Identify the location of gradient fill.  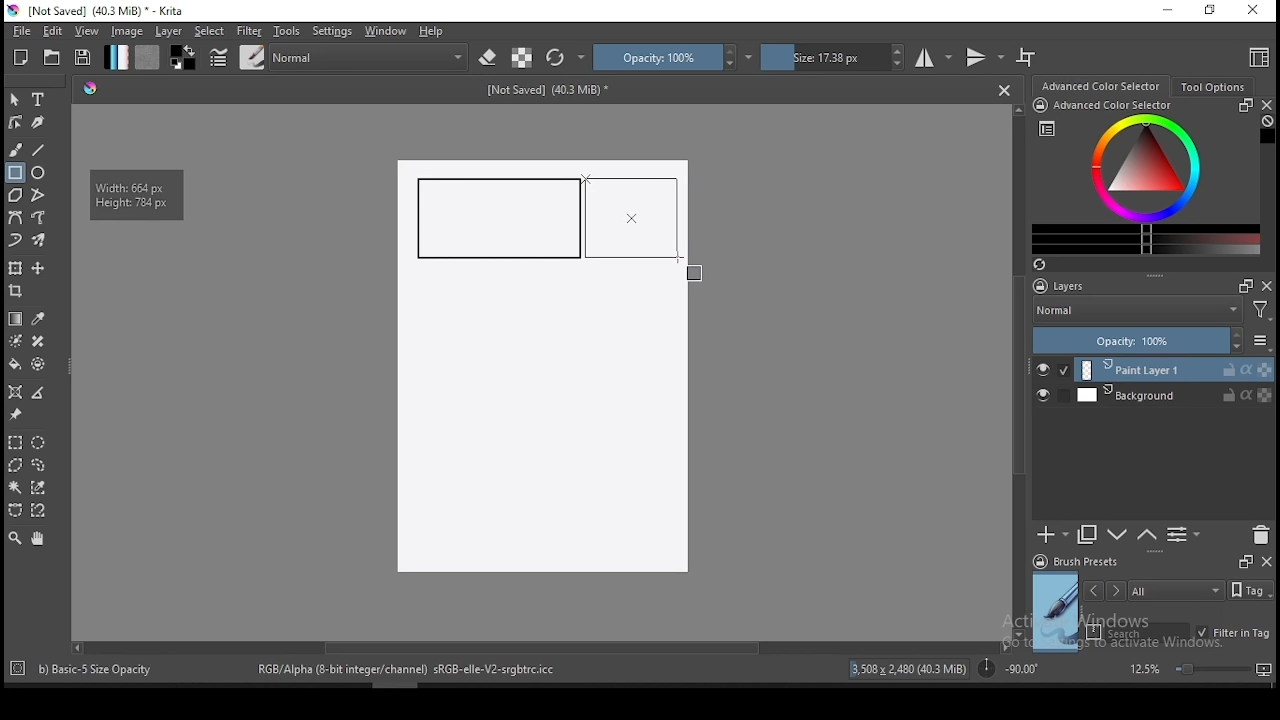
(116, 57).